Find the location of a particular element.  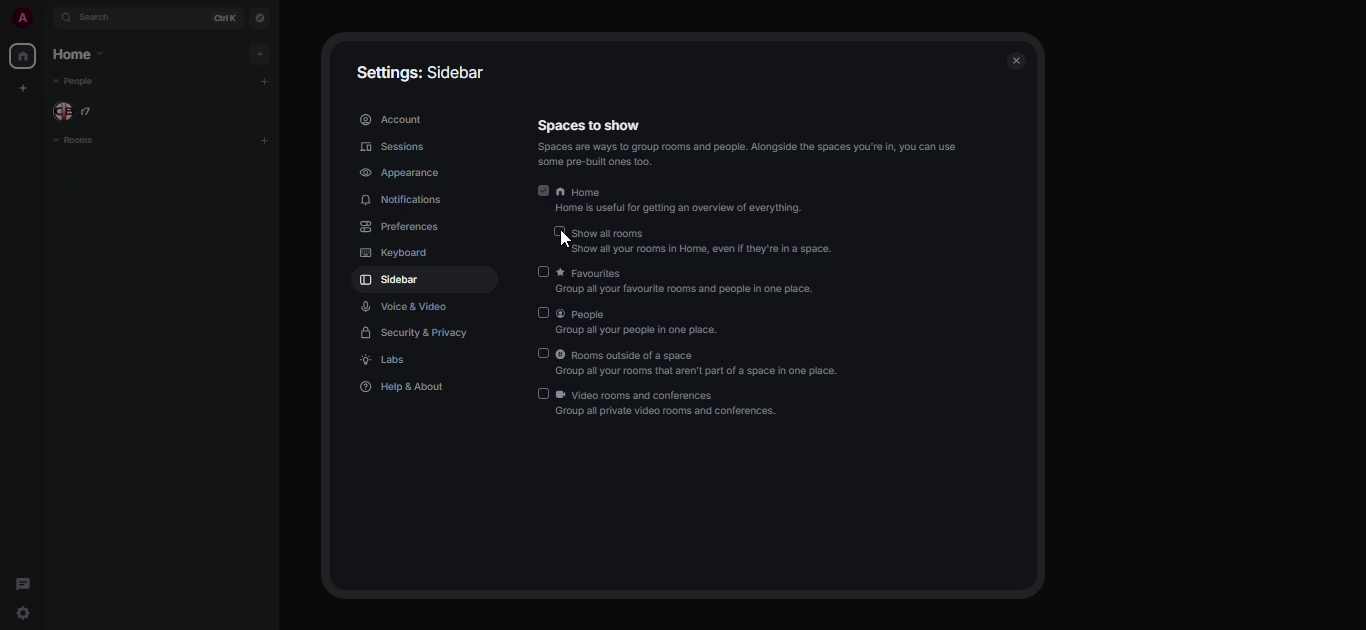

expand is located at coordinates (41, 19).